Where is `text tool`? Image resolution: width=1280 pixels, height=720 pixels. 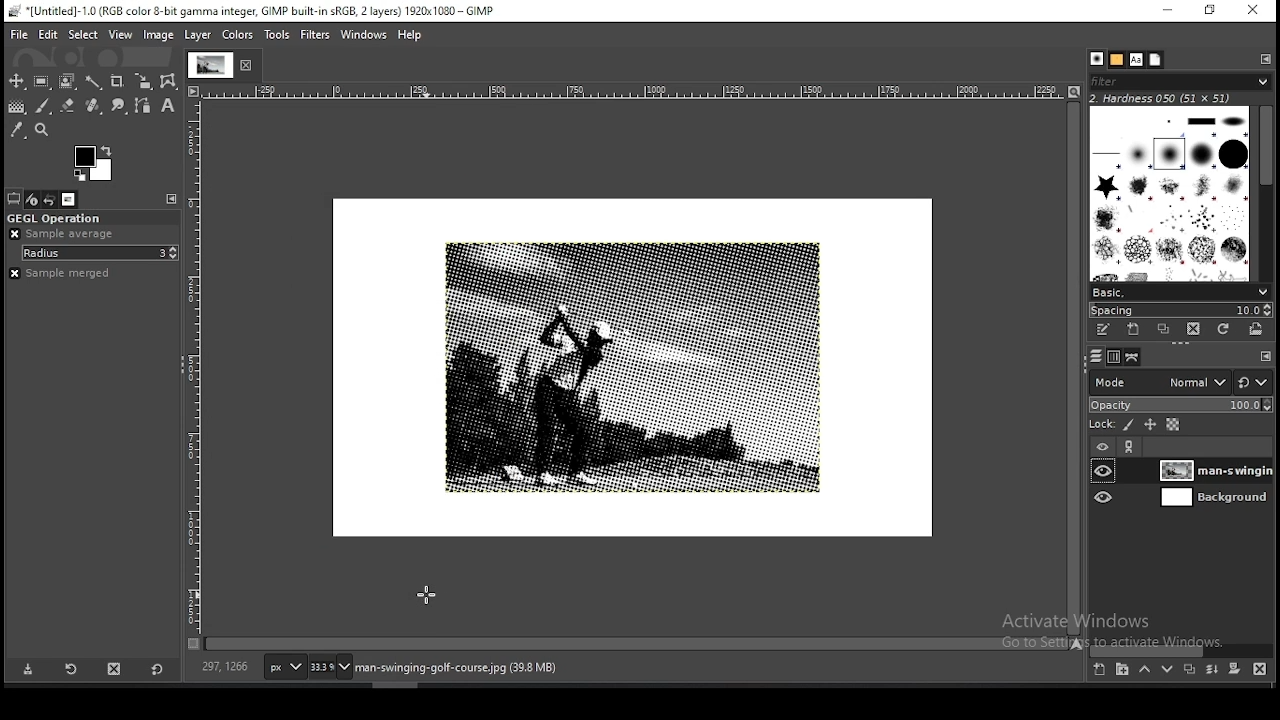
text tool is located at coordinates (169, 106).